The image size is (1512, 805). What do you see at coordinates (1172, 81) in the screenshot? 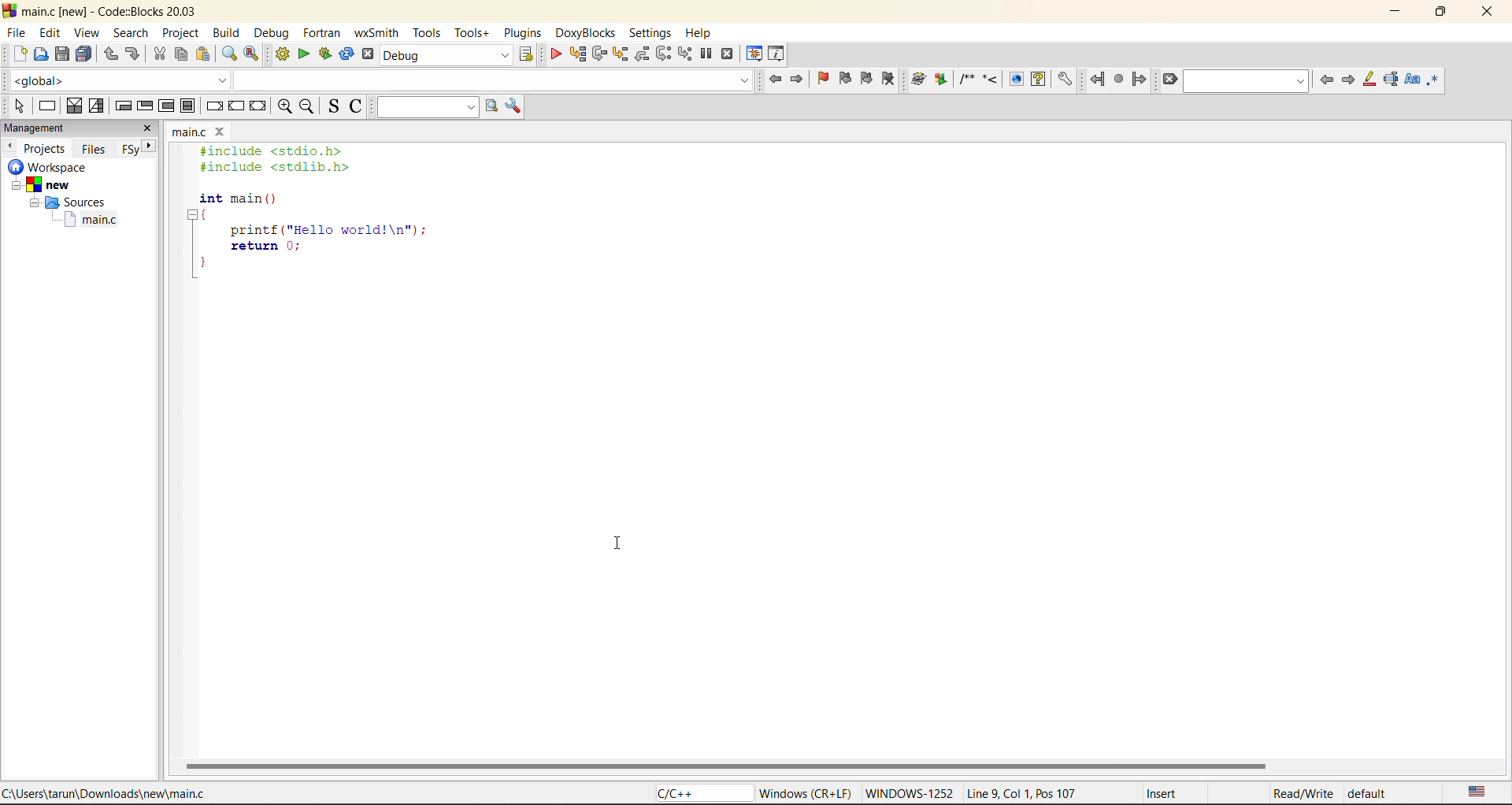
I see `clear` at bounding box center [1172, 81].